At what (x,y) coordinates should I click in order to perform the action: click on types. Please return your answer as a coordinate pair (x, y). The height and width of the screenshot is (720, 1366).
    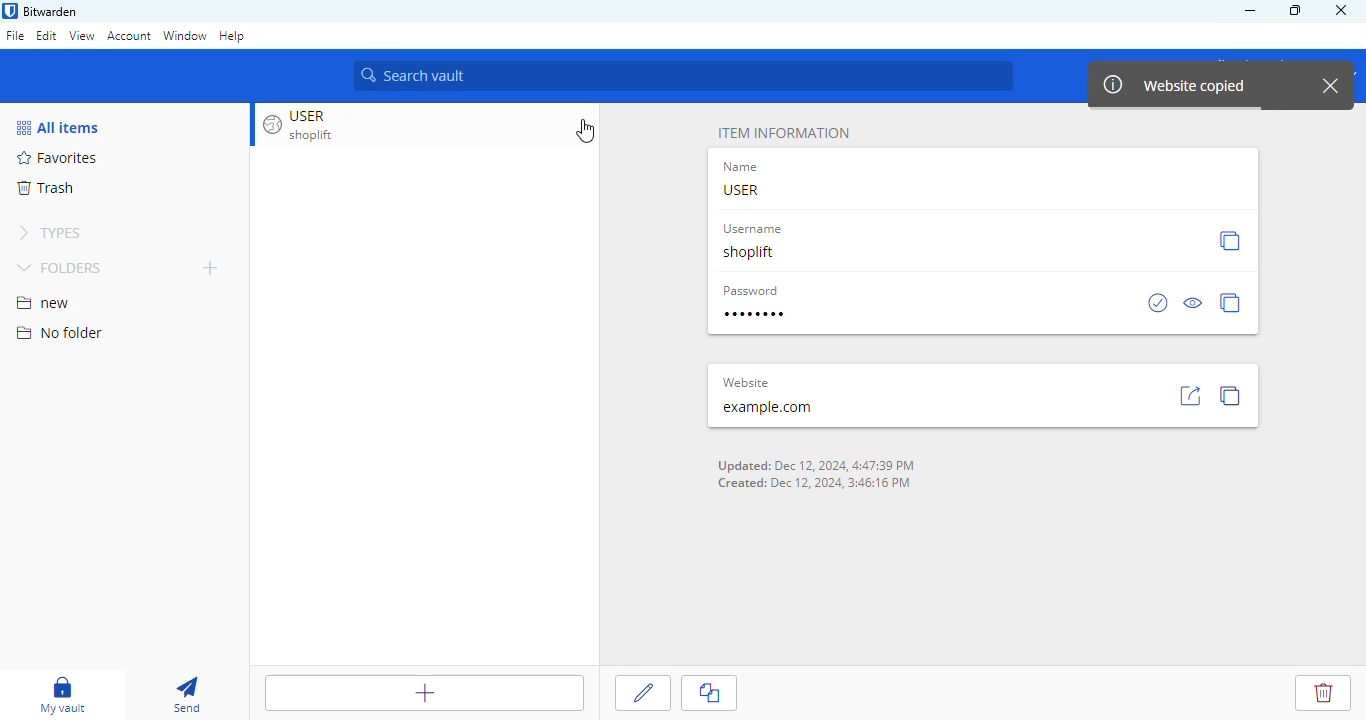
    Looking at the image, I should click on (50, 231).